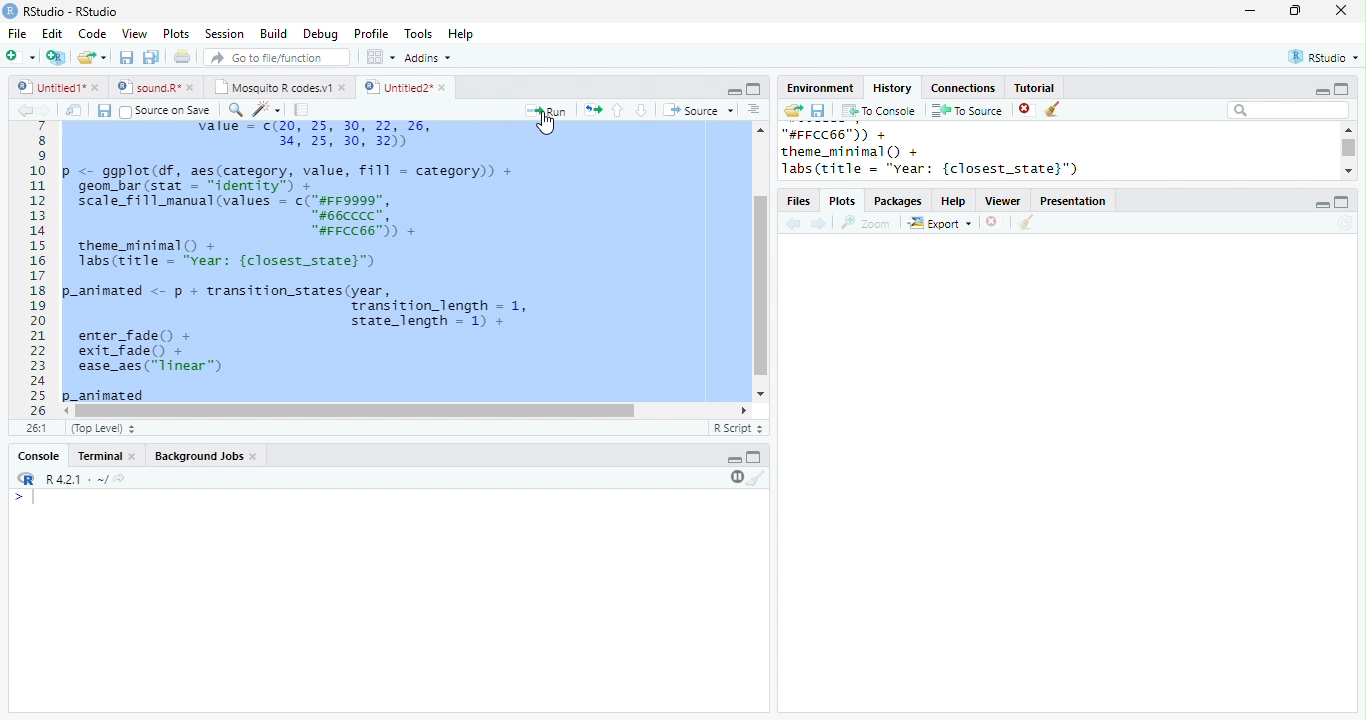 The image size is (1366, 720). I want to click on new file, so click(20, 57).